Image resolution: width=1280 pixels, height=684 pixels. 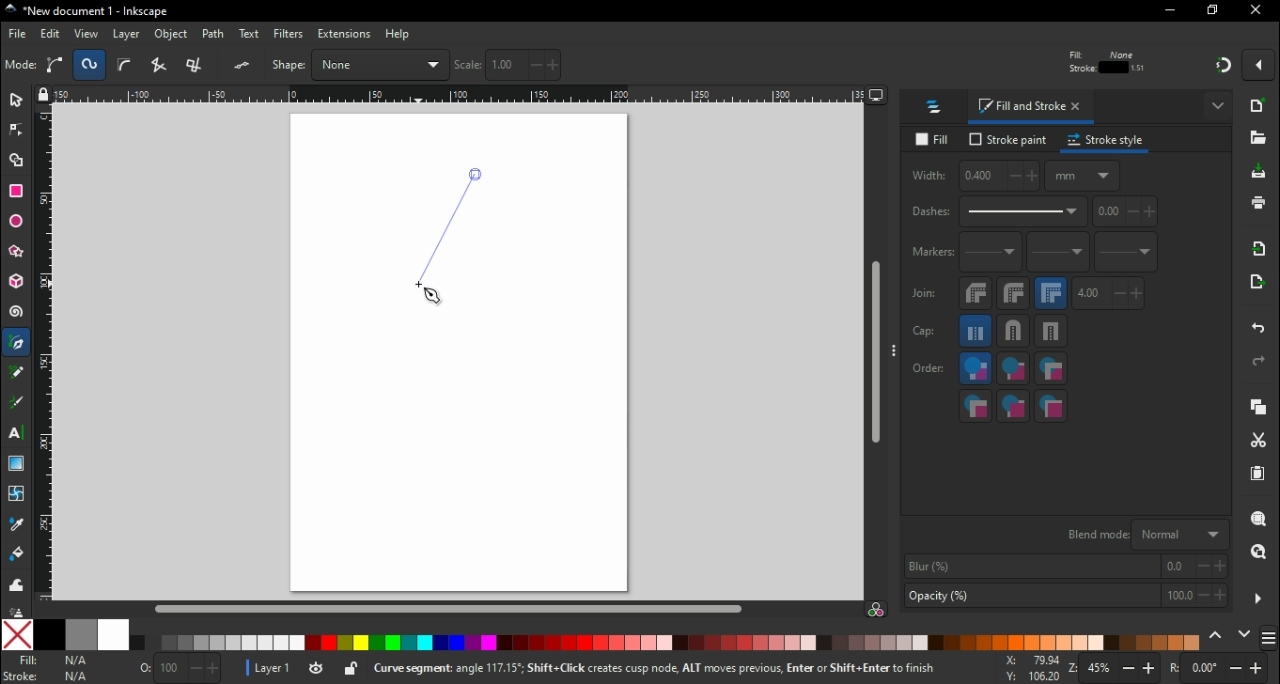 I want to click on restore, so click(x=1214, y=12).